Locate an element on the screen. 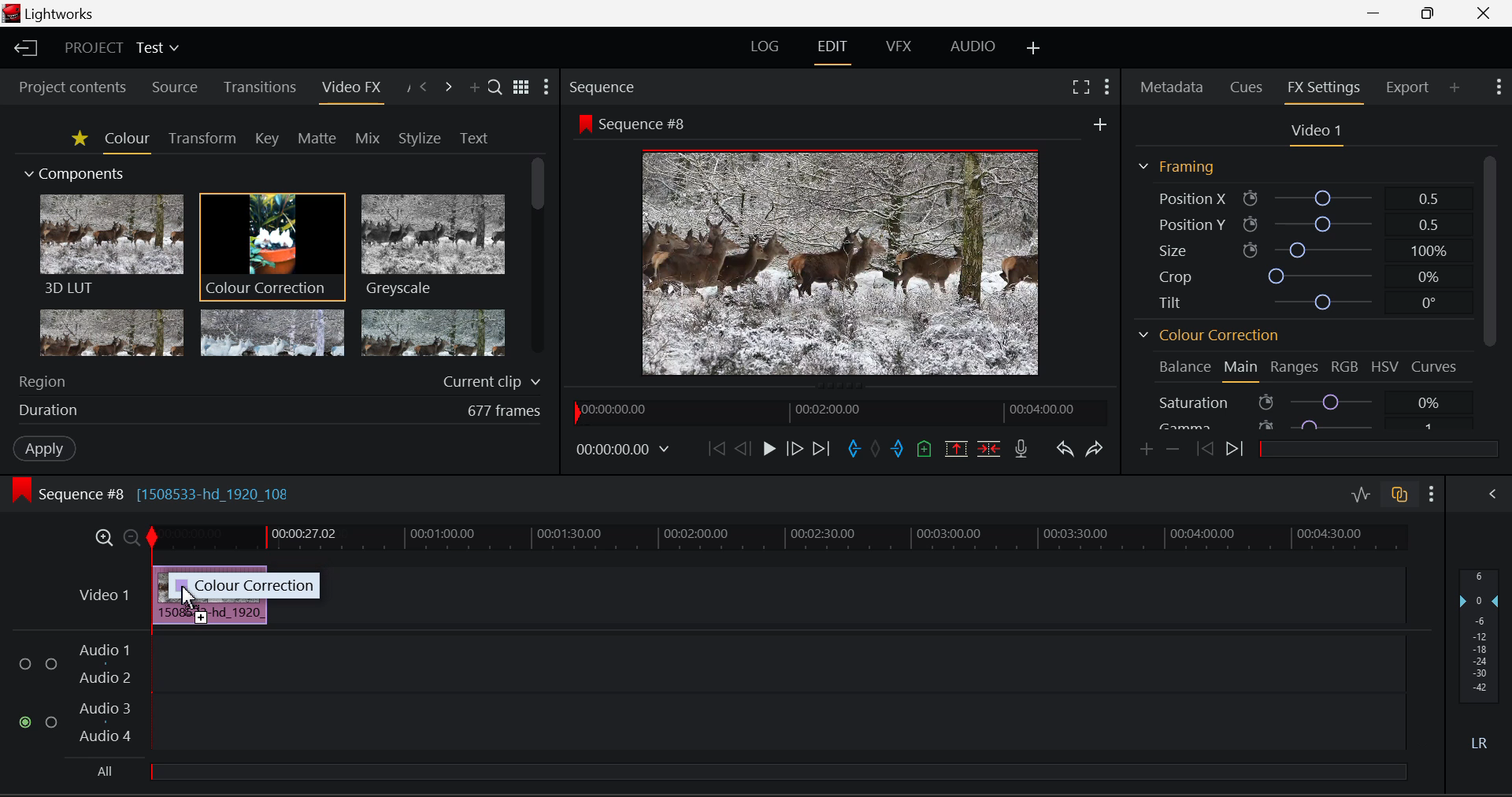 Image resolution: width=1512 pixels, height=797 pixels. Add Layout is located at coordinates (1034, 46).